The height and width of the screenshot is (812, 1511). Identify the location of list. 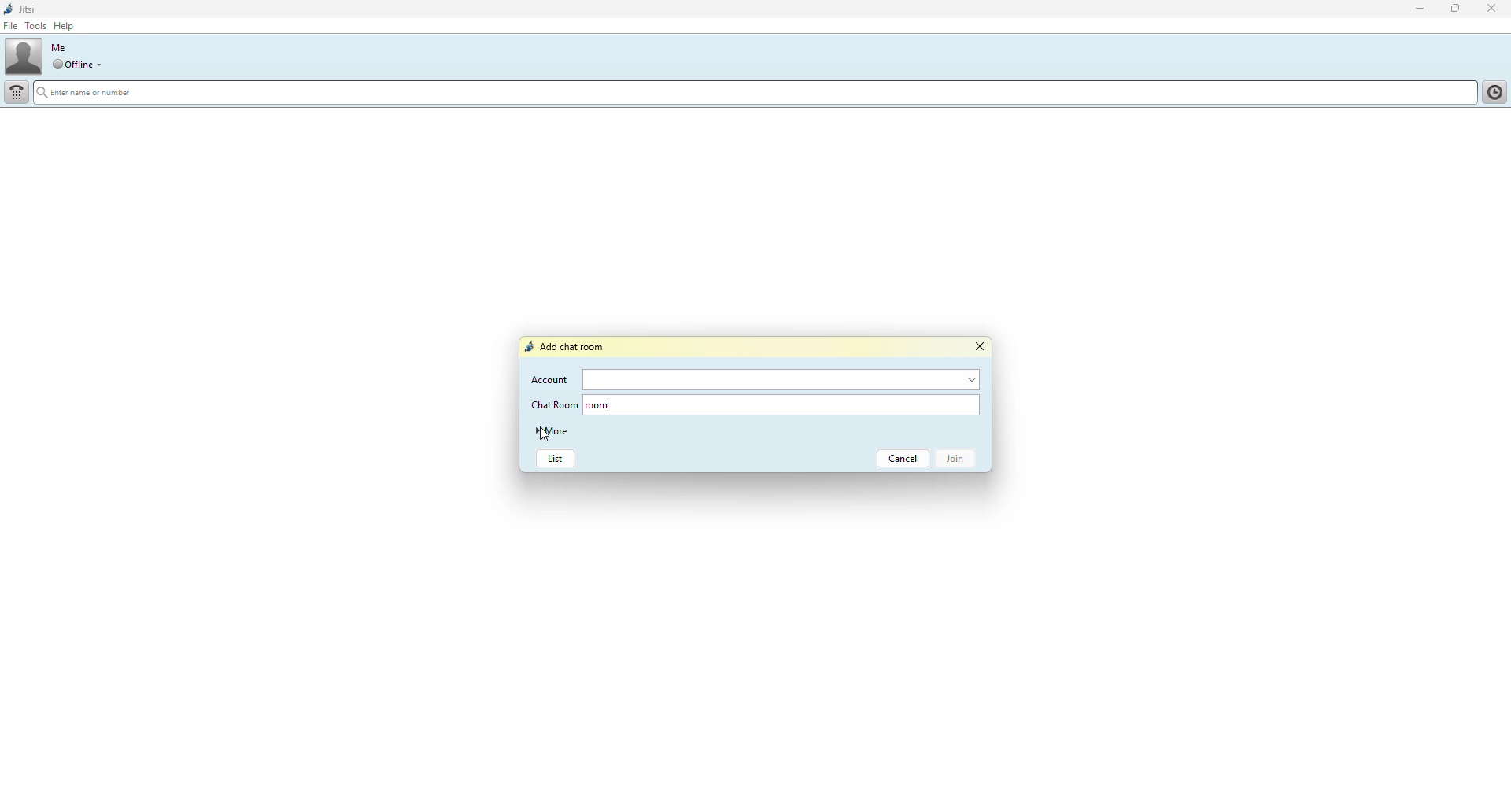
(553, 457).